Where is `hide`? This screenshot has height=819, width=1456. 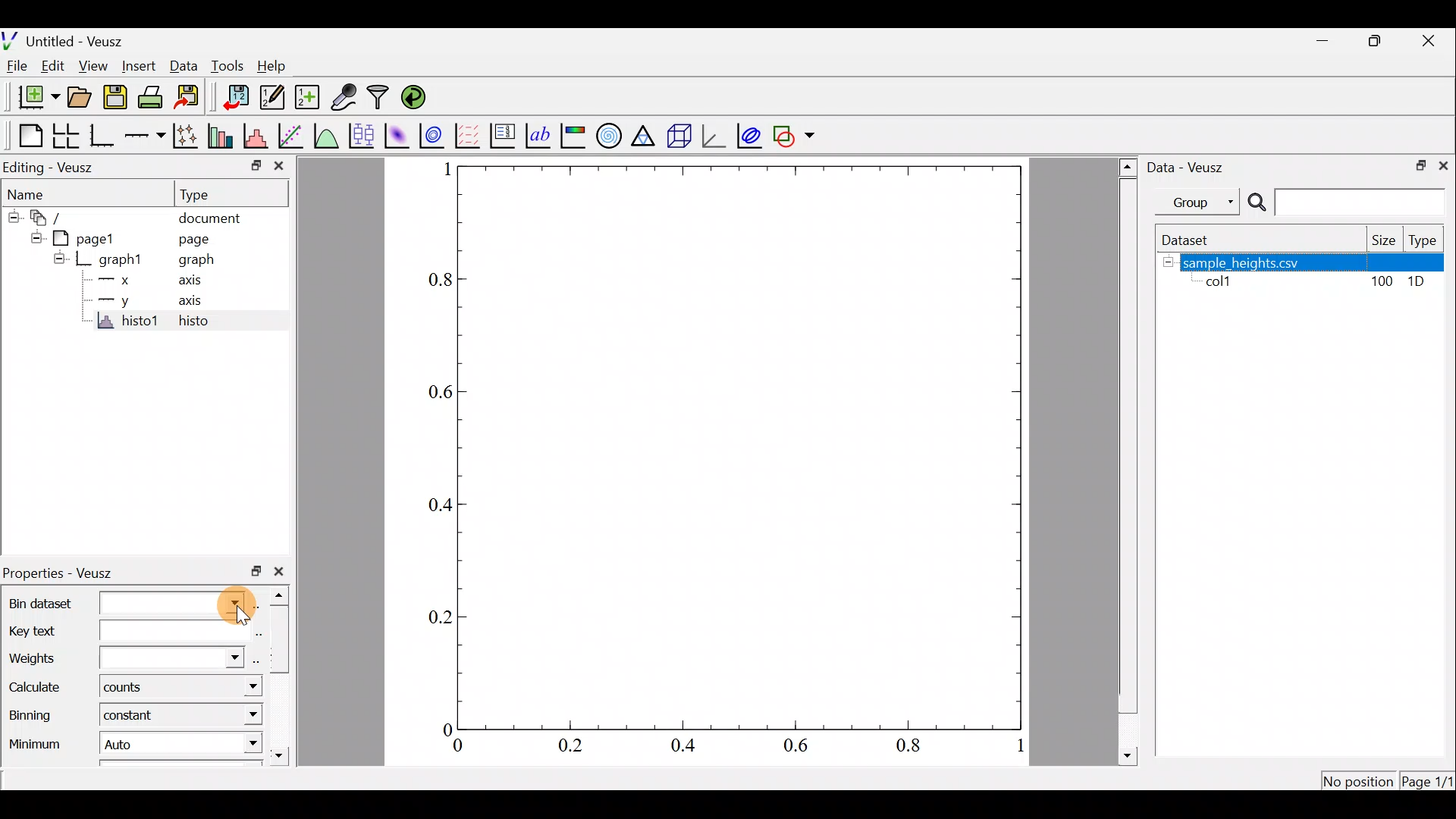 hide is located at coordinates (58, 258).